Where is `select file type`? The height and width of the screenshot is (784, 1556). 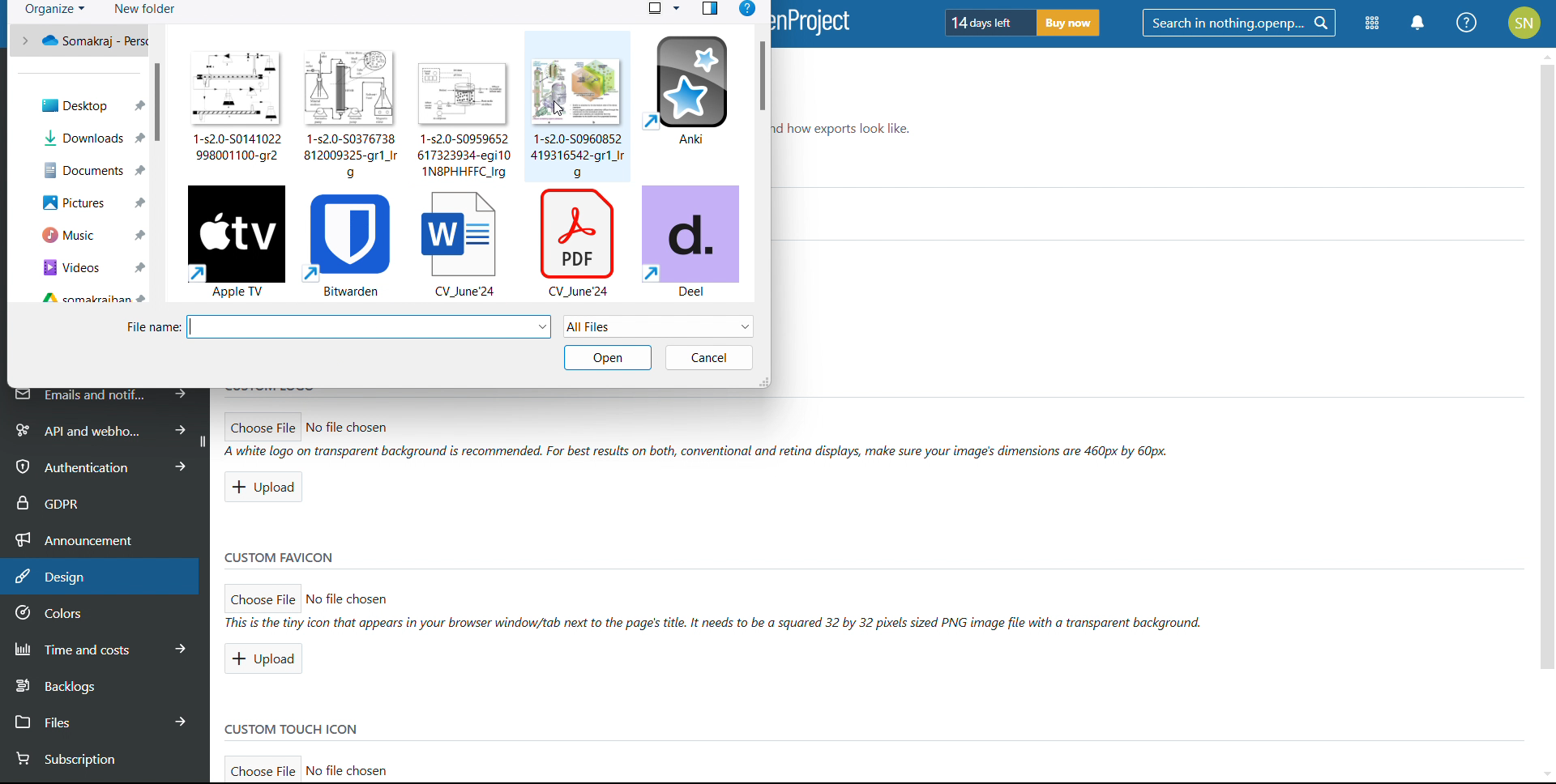
select file type is located at coordinates (659, 326).